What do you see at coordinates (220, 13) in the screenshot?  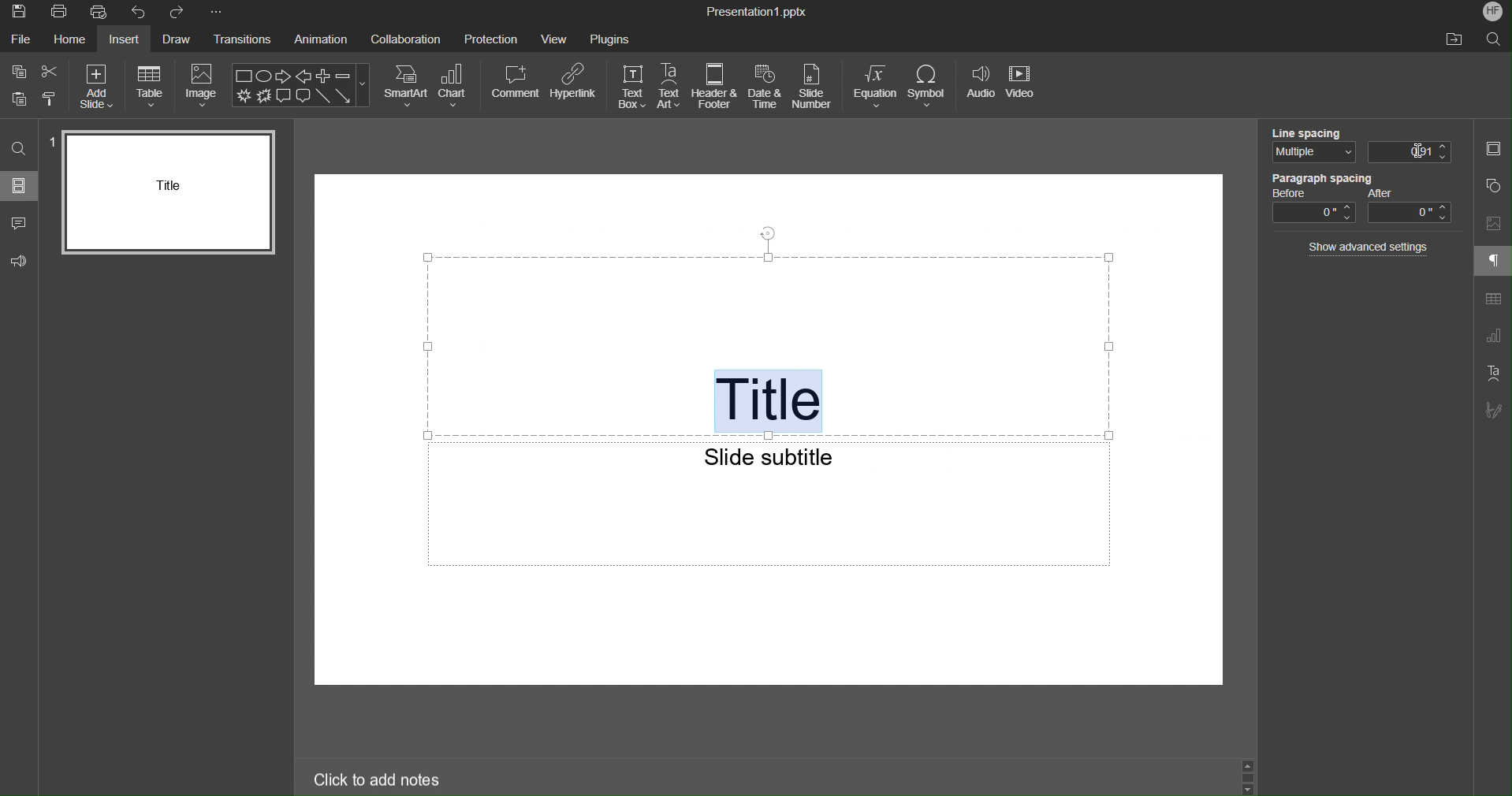 I see `More` at bounding box center [220, 13].